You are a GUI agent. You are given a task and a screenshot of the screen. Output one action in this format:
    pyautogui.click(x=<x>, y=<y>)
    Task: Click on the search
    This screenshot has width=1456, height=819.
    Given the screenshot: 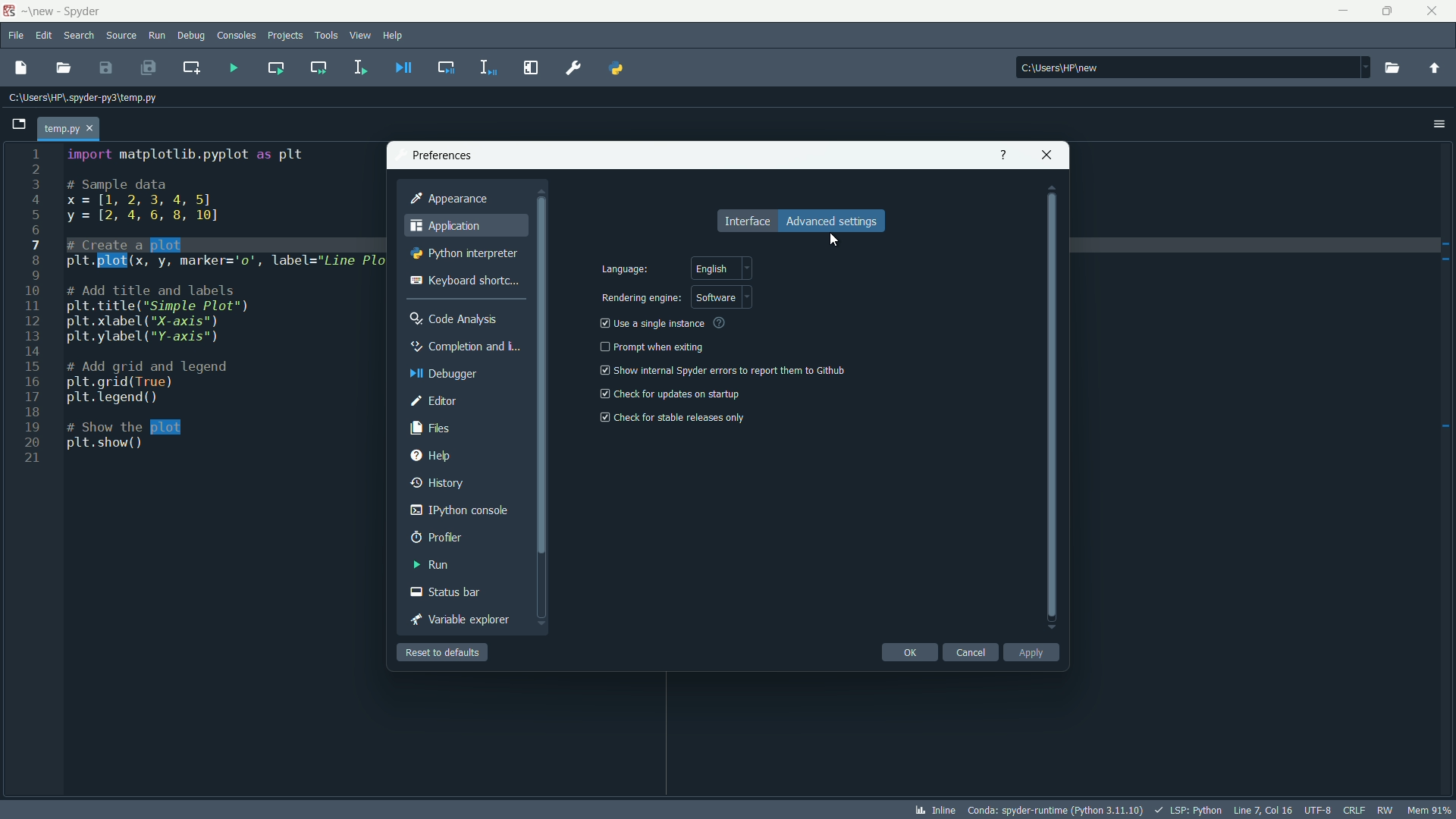 What is the action you would take?
    pyautogui.click(x=79, y=36)
    